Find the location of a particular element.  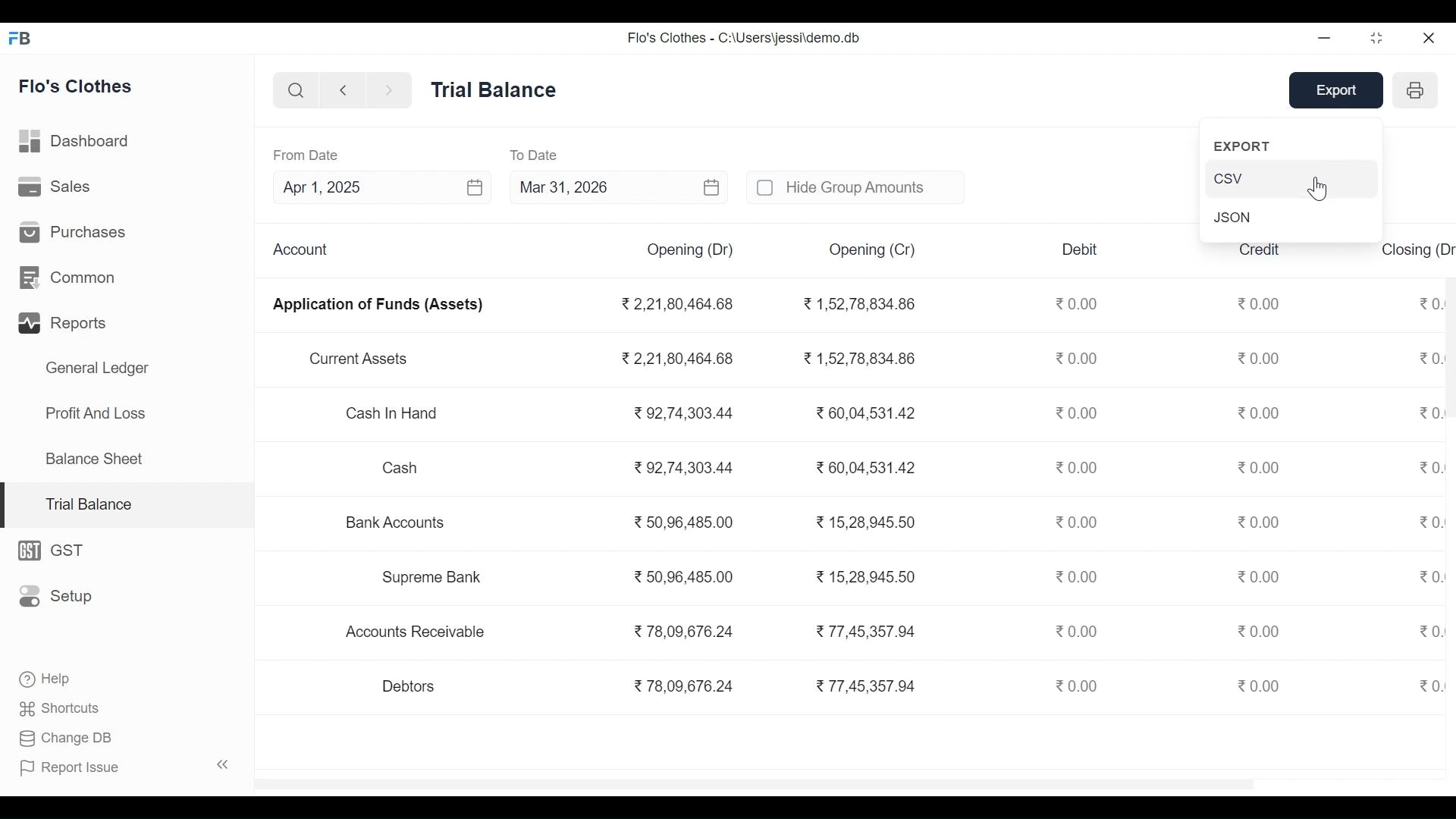

Reparts is located at coordinates (66, 322).